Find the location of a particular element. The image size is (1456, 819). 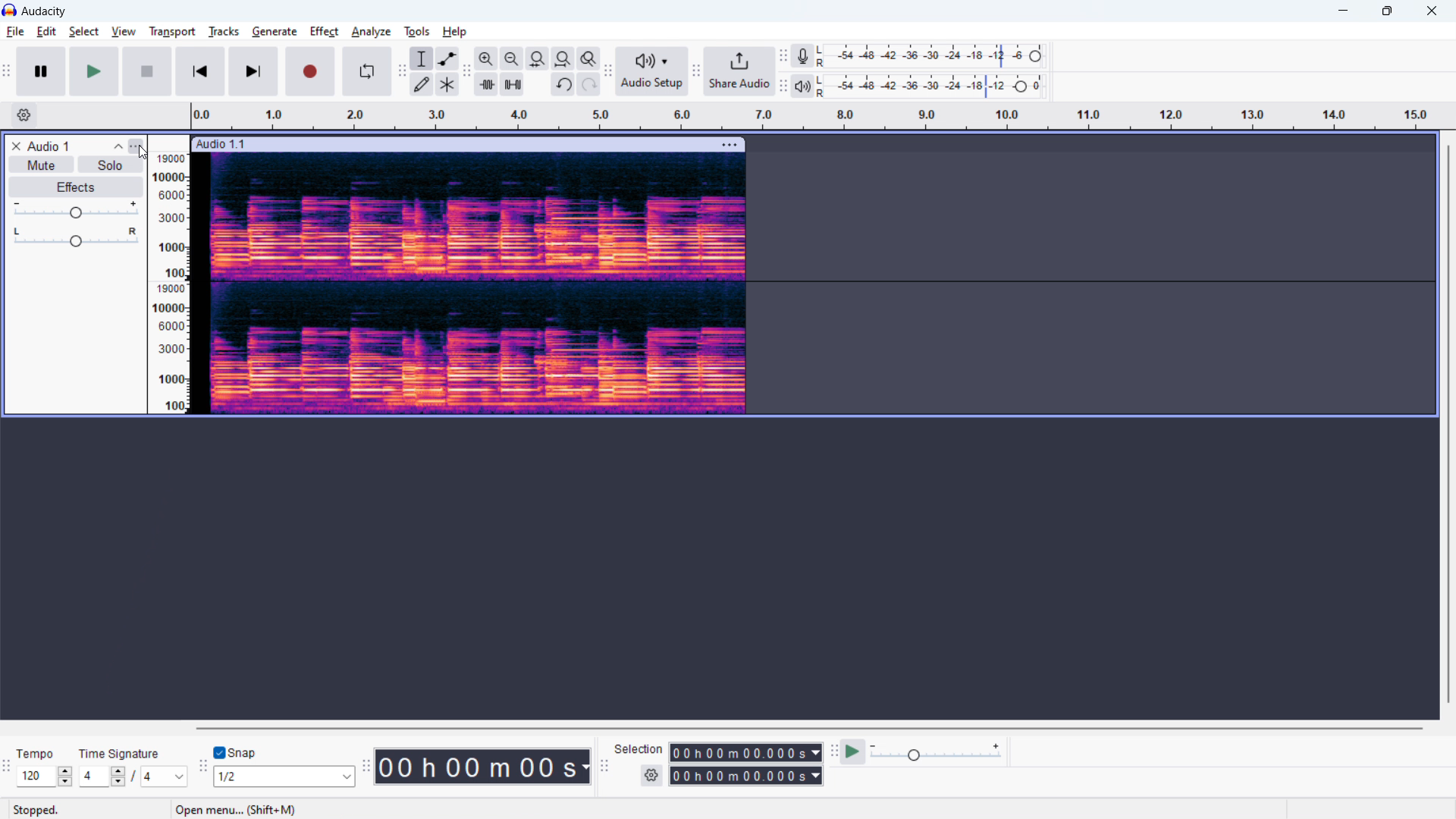

edit toolbar is located at coordinates (466, 71).